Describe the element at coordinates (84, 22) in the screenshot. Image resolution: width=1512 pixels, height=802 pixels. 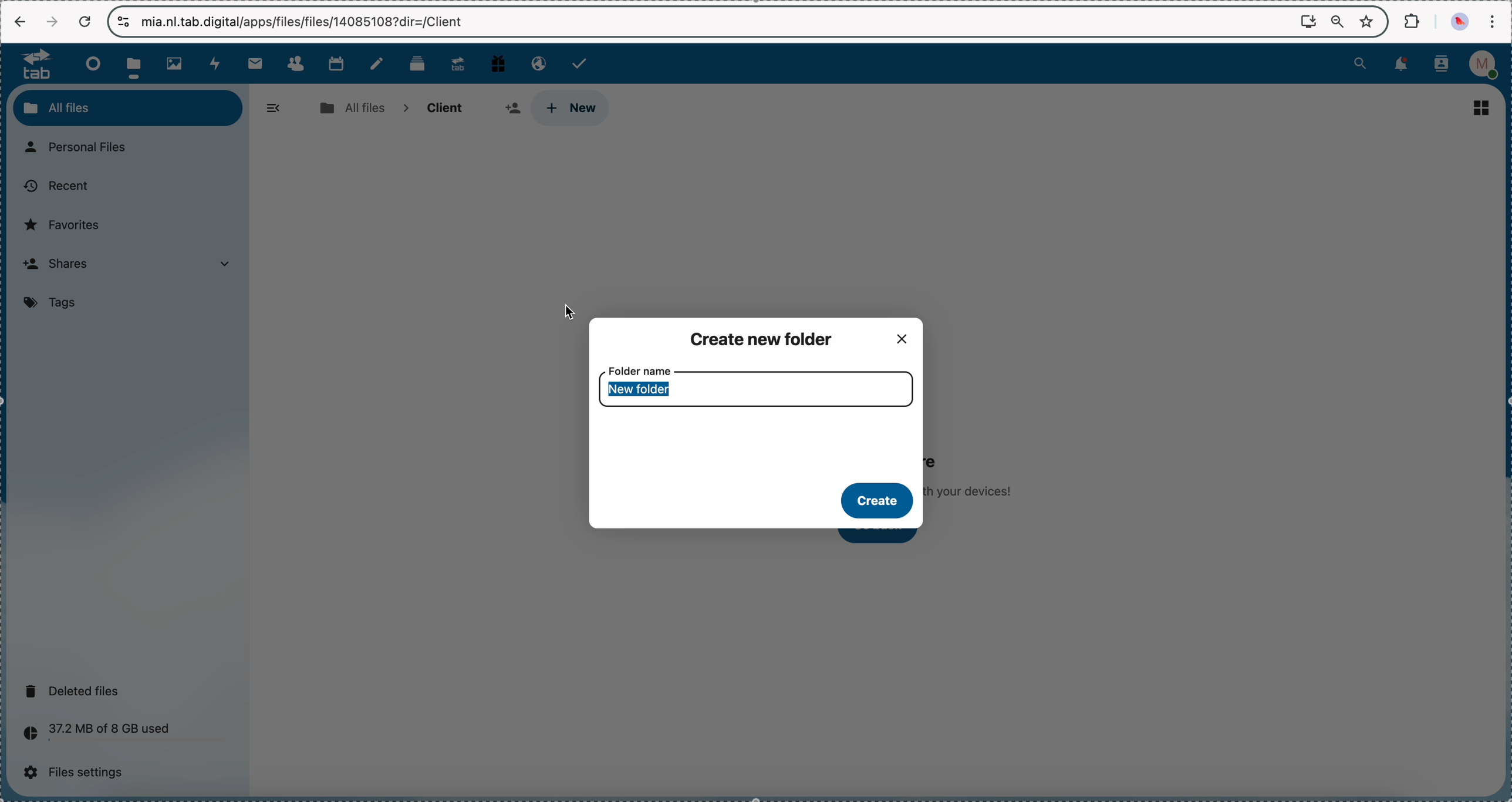
I see `cancel` at that location.